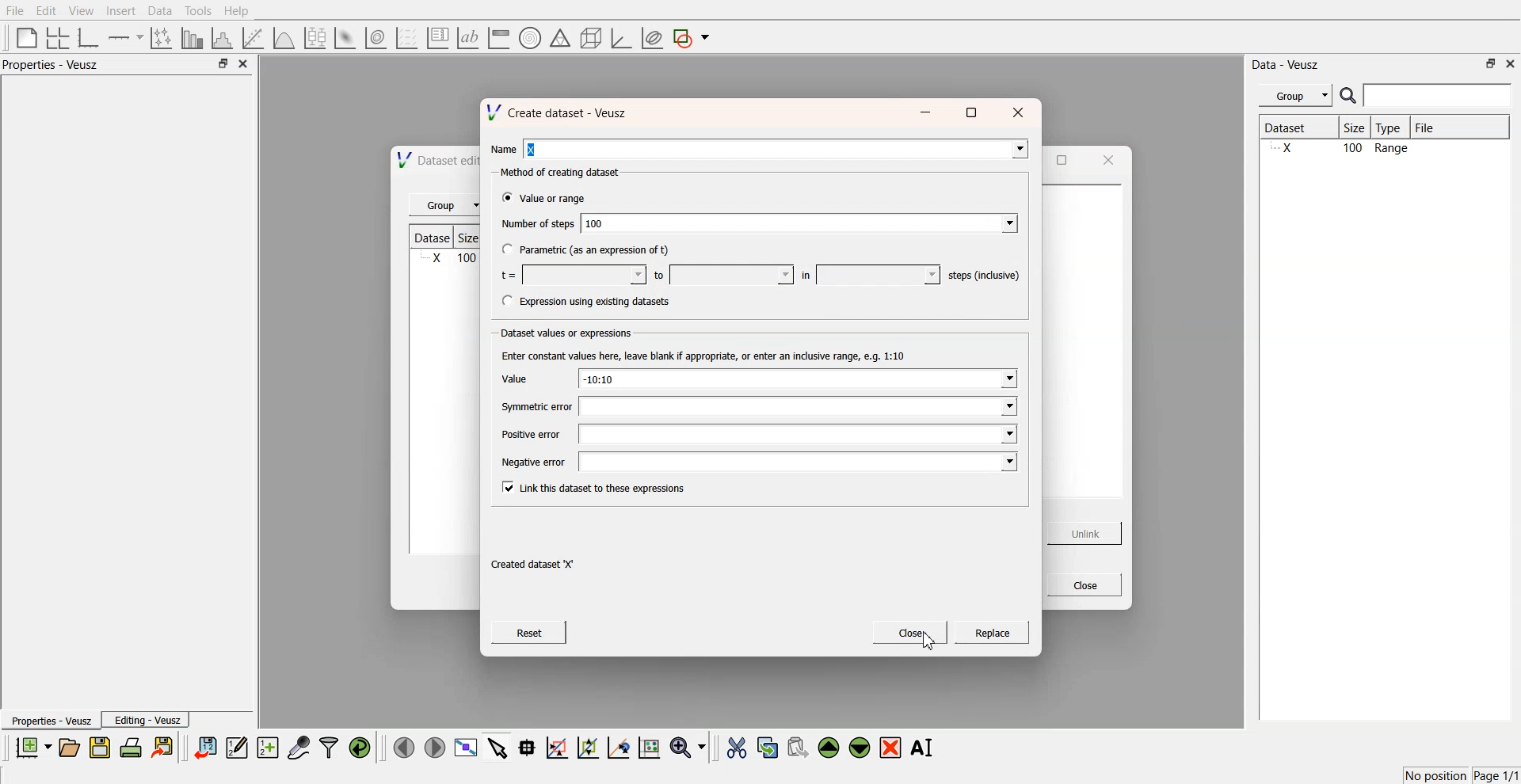 The height and width of the screenshot is (784, 1521). I want to click on draw a rectangle on zoom graph axes, so click(556, 746).